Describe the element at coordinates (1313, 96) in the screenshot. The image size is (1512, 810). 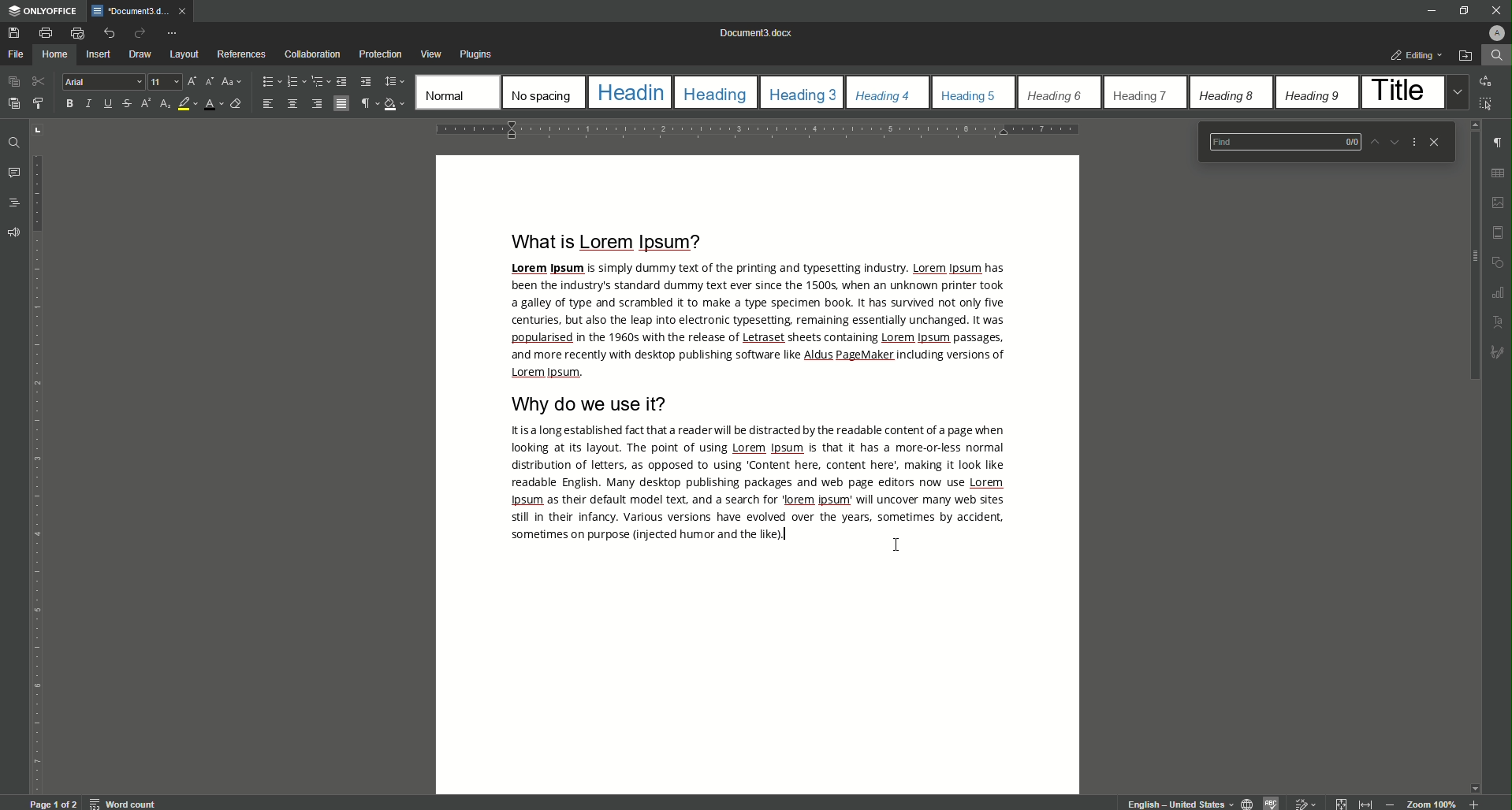
I see `Heading 9` at that location.